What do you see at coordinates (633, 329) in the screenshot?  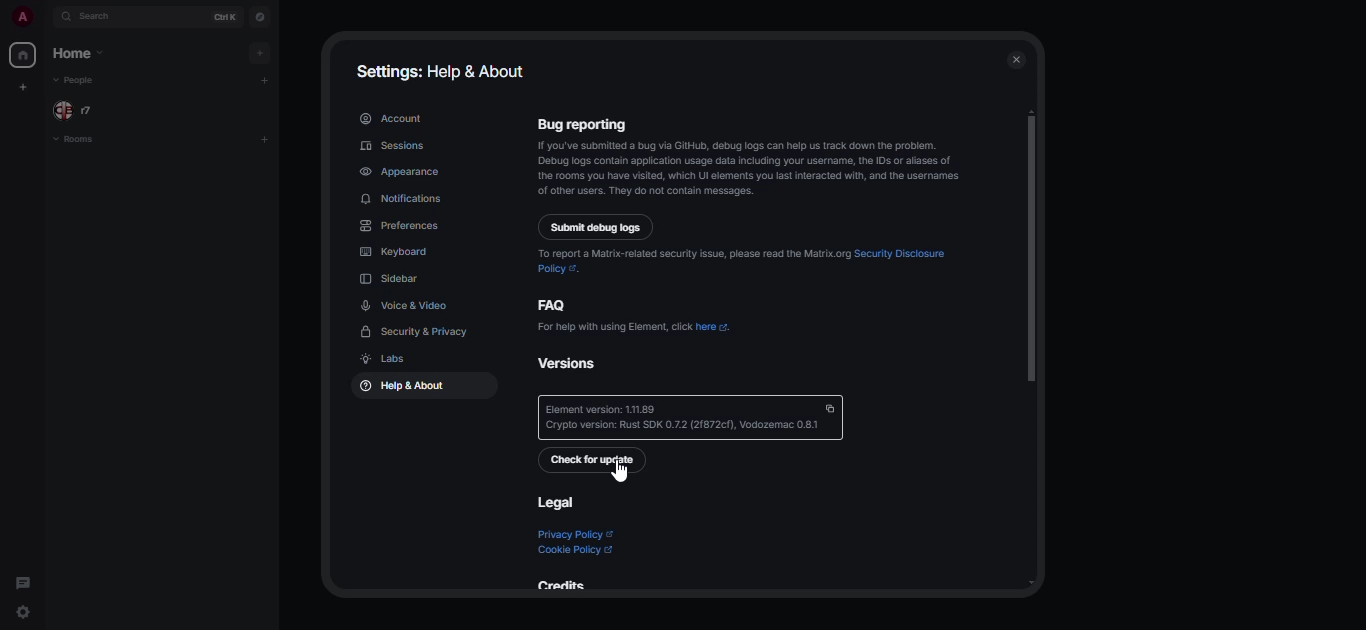 I see `For help with using Element, click here` at bounding box center [633, 329].